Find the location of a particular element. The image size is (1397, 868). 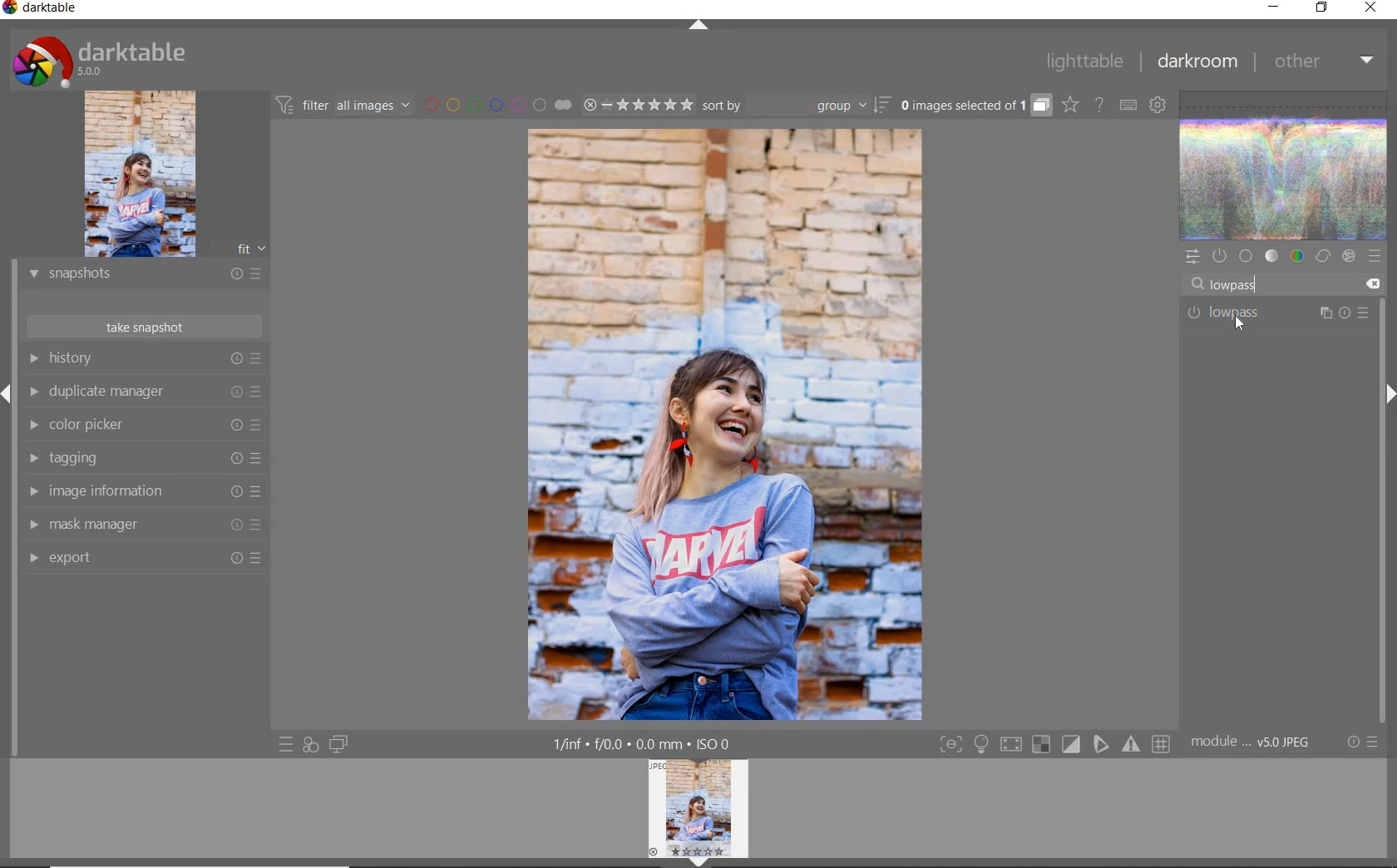

color is located at coordinates (1296, 257).